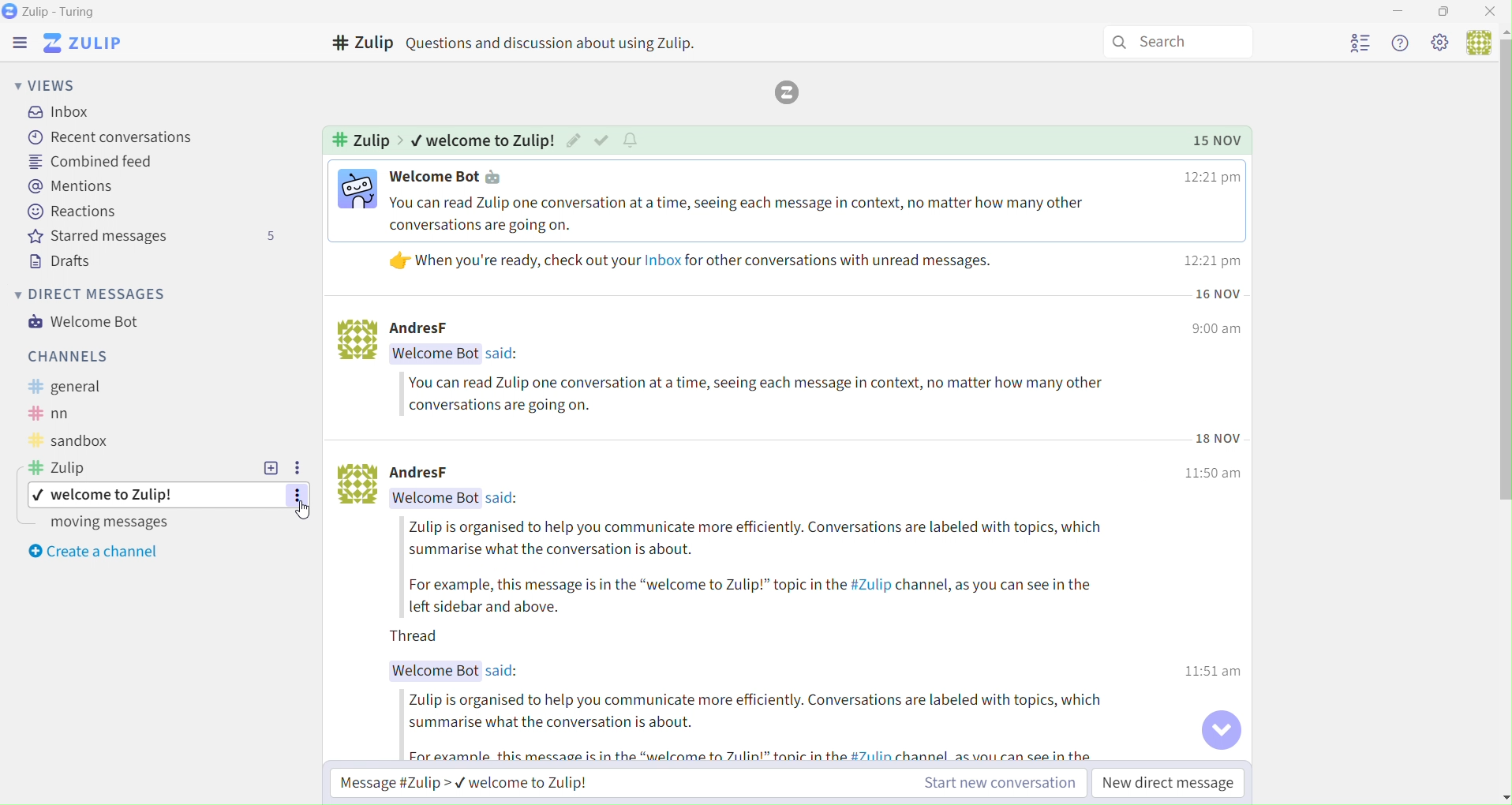 The image size is (1512, 805). I want to click on Settings, so click(1440, 45).